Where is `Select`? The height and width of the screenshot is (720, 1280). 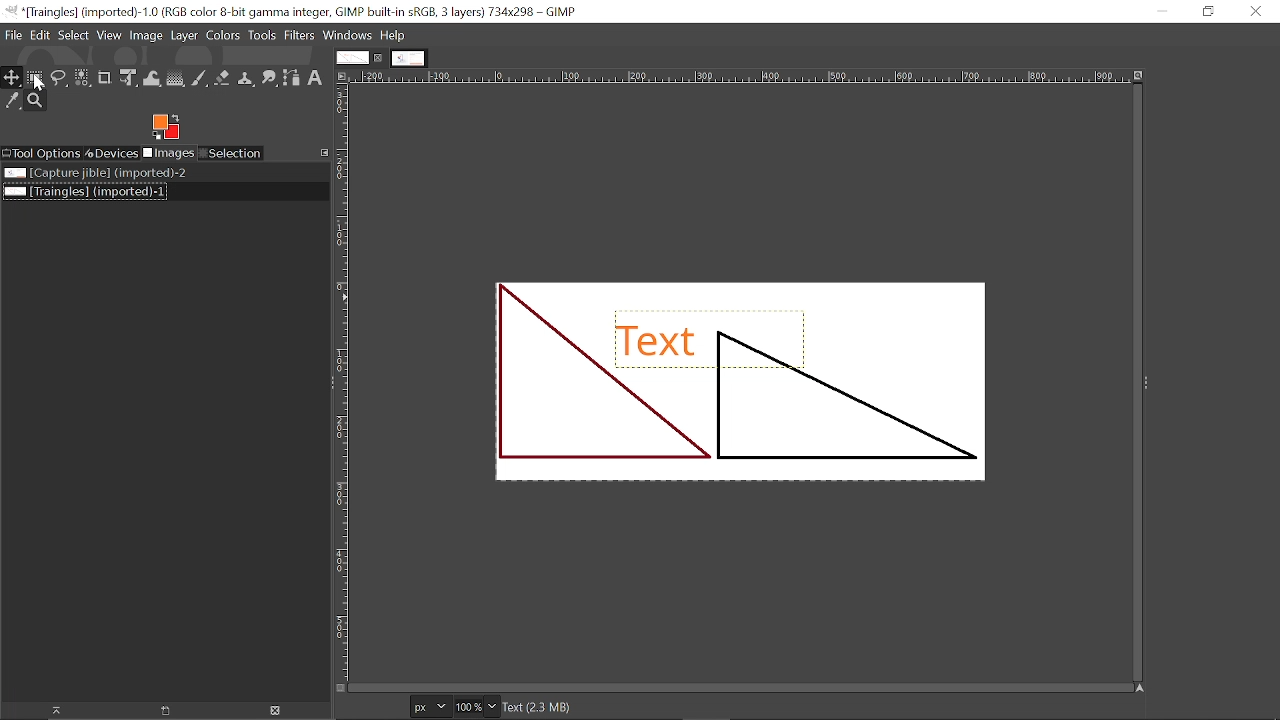 Select is located at coordinates (73, 36).